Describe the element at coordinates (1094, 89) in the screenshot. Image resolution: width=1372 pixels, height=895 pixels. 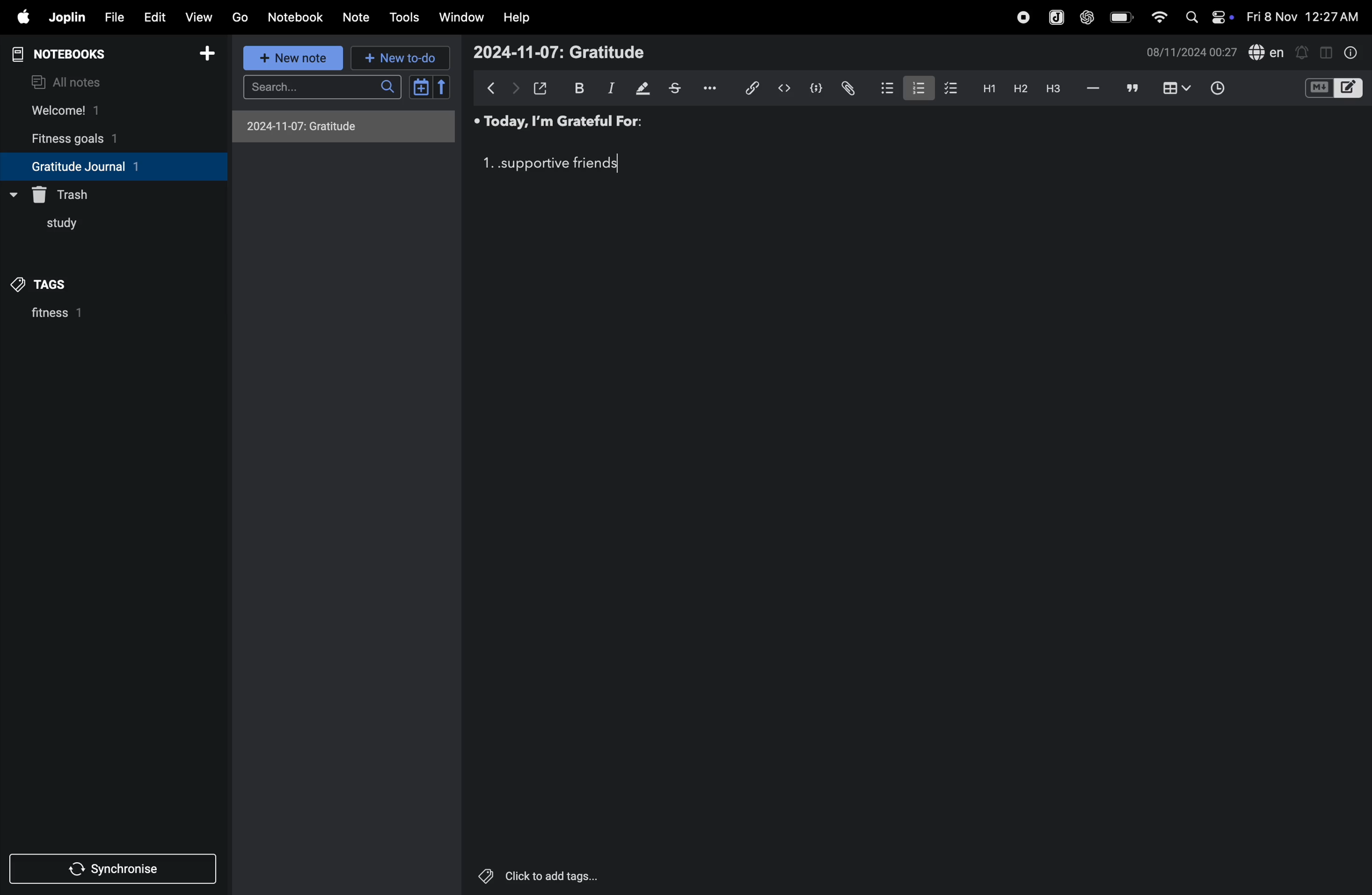
I see `horrizontal line` at that location.